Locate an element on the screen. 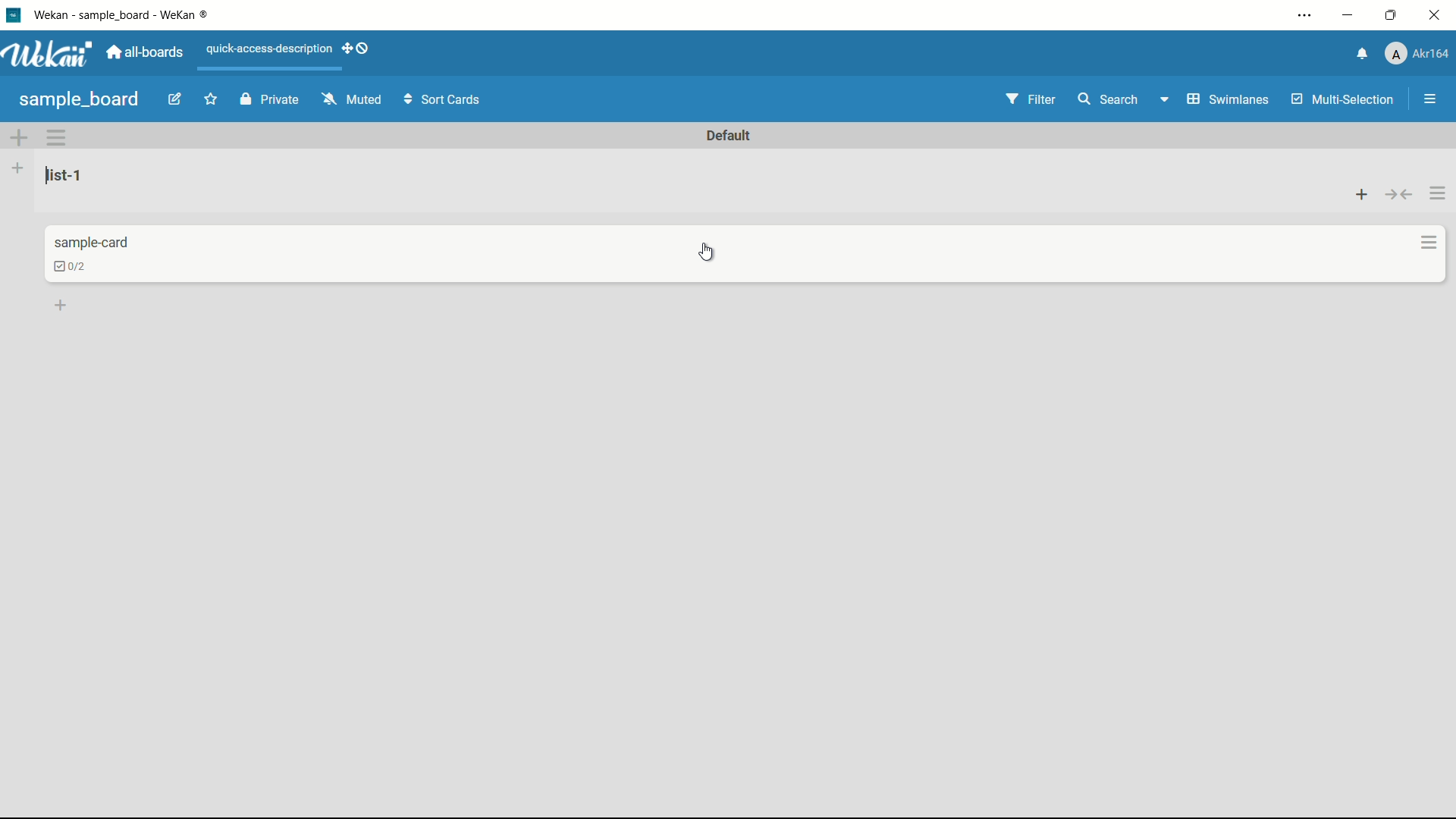 The width and height of the screenshot is (1456, 819). app name is located at coordinates (131, 14).